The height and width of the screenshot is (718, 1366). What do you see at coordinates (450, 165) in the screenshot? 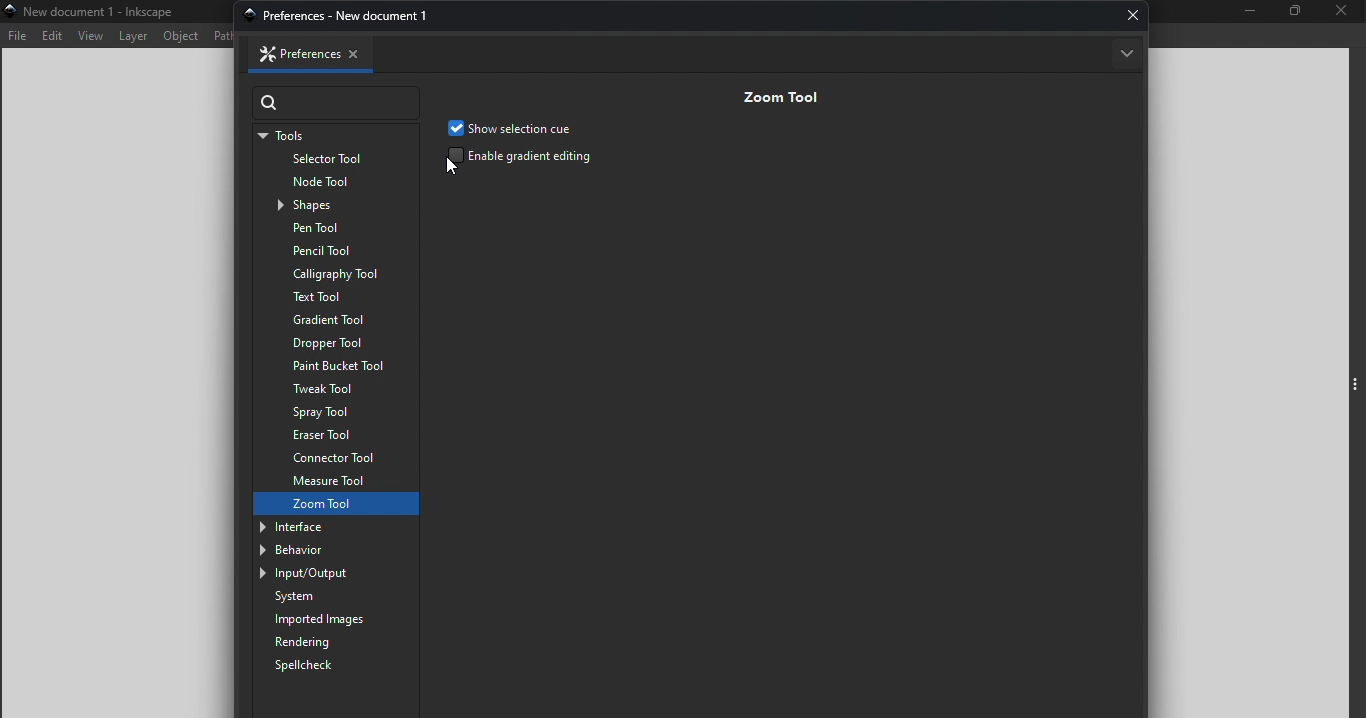
I see `cursor` at bounding box center [450, 165].